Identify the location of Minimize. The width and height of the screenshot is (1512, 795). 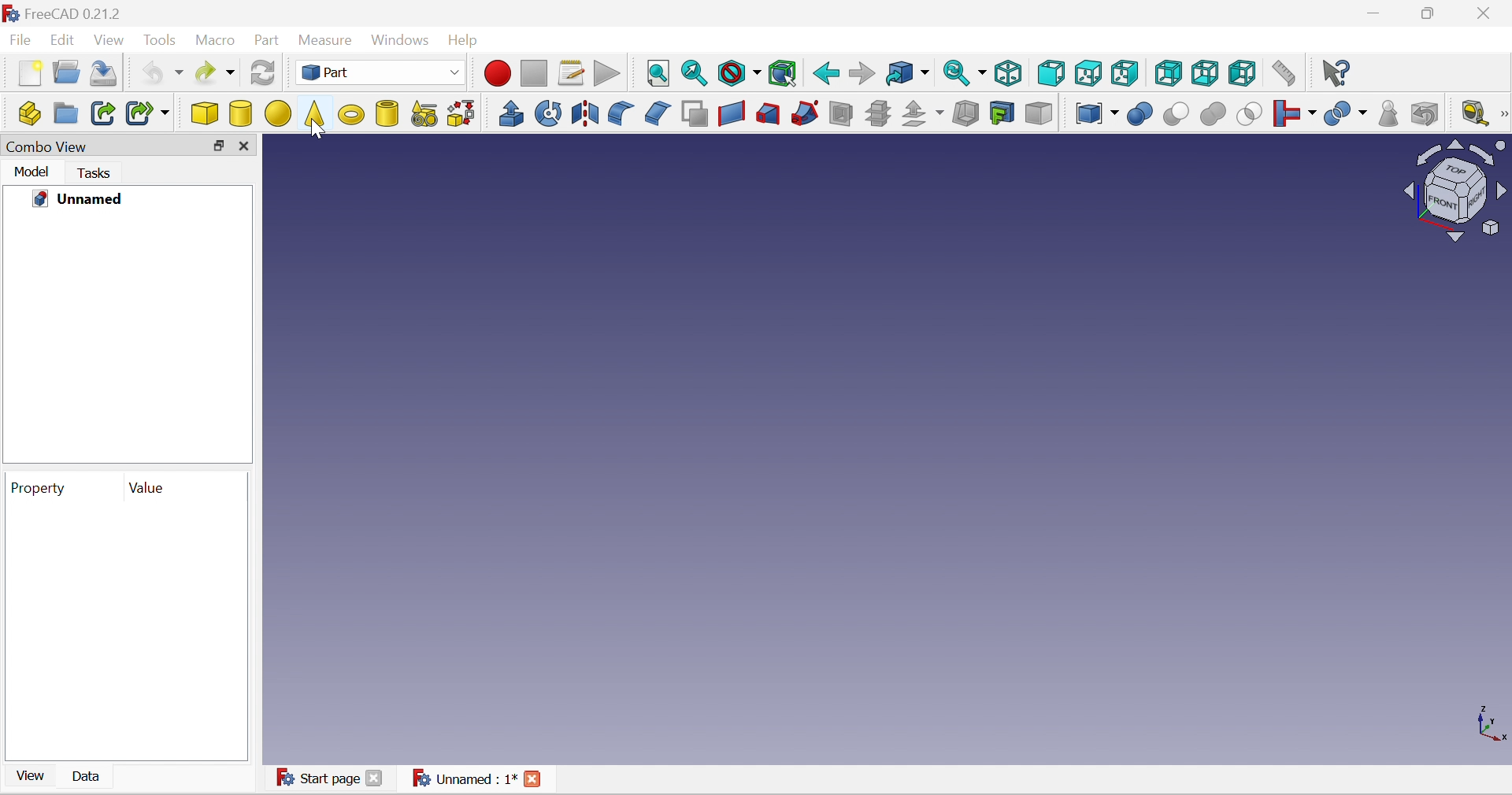
(1378, 13).